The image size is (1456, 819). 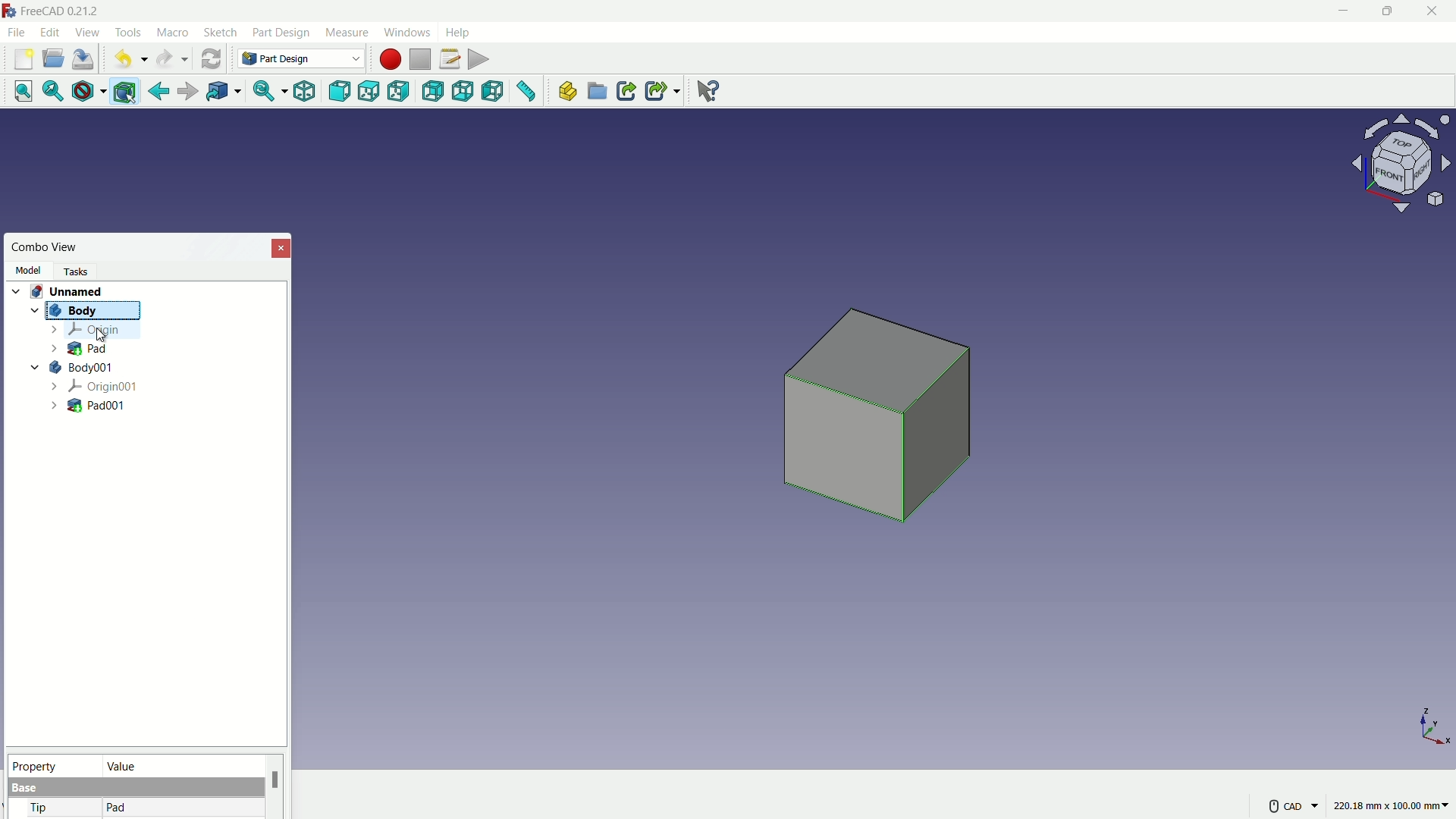 What do you see at coordinates (480, 58) in the screenshot?
I see `execute macros` at bounding box center [480, 58].